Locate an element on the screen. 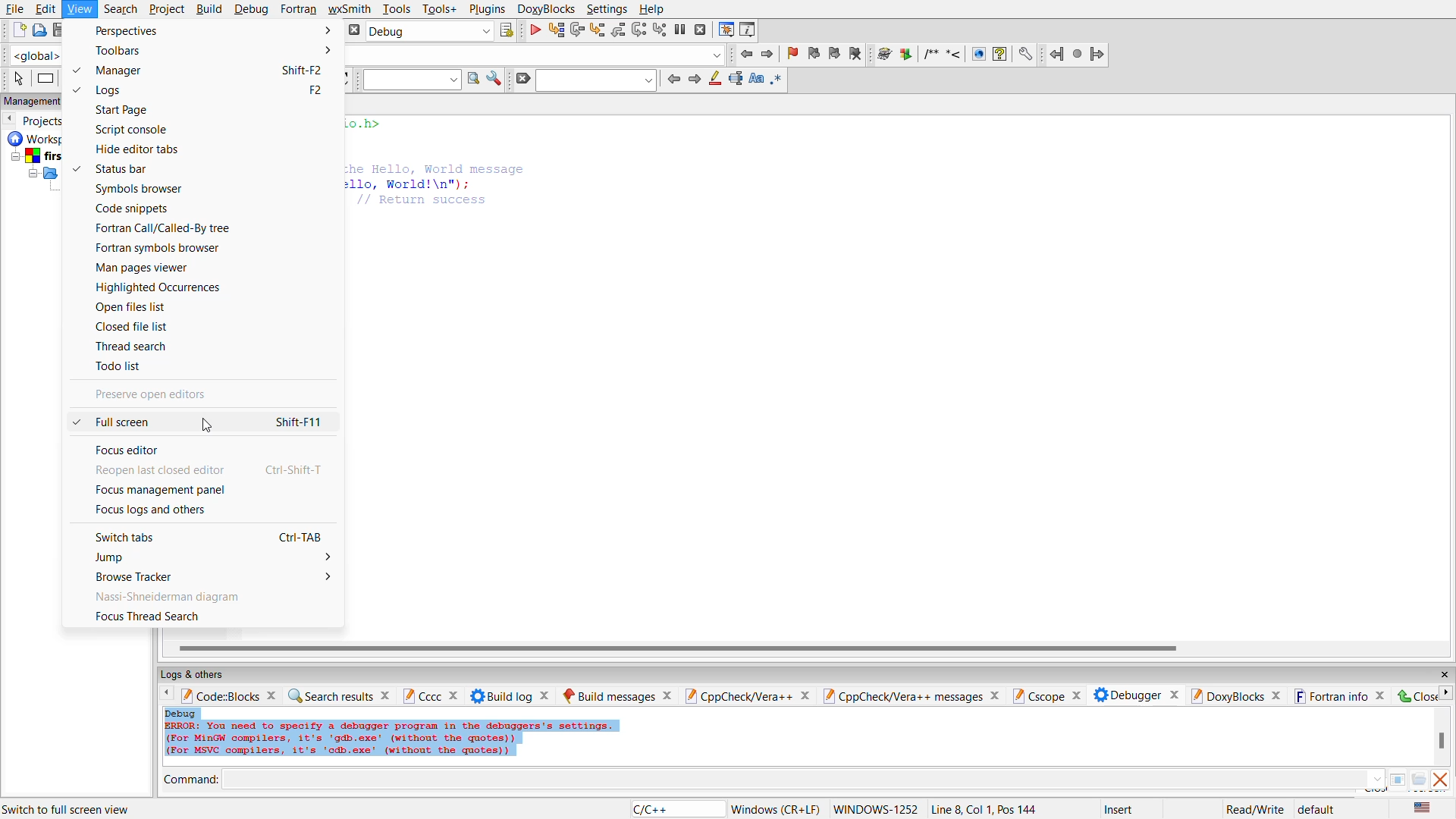 The image size is (1456, 819). debugging windows is located at coordinates (726, 30).